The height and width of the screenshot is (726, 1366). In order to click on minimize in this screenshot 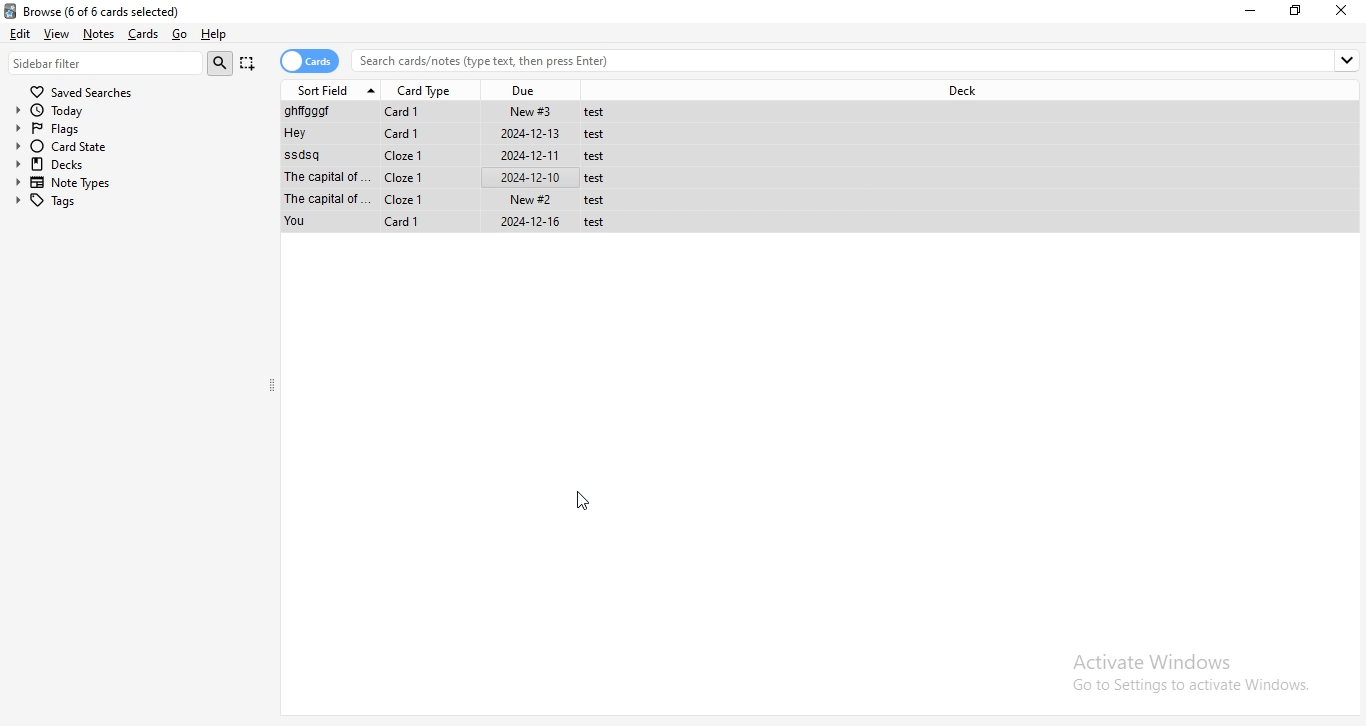, I will do `click(1252, 10)`.